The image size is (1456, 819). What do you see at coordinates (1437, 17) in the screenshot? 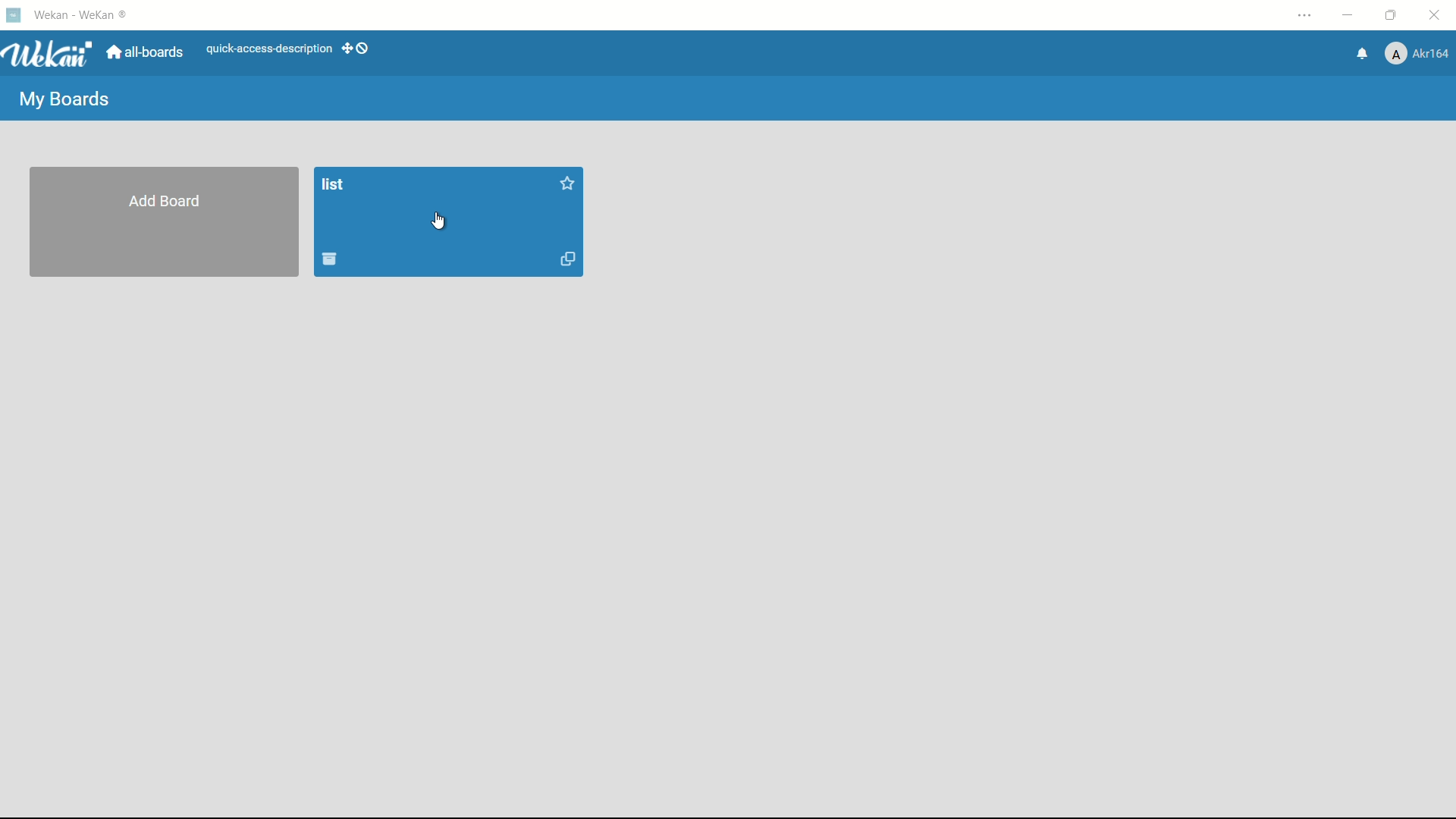
I see `close app` at bounding box center [1437, 17].